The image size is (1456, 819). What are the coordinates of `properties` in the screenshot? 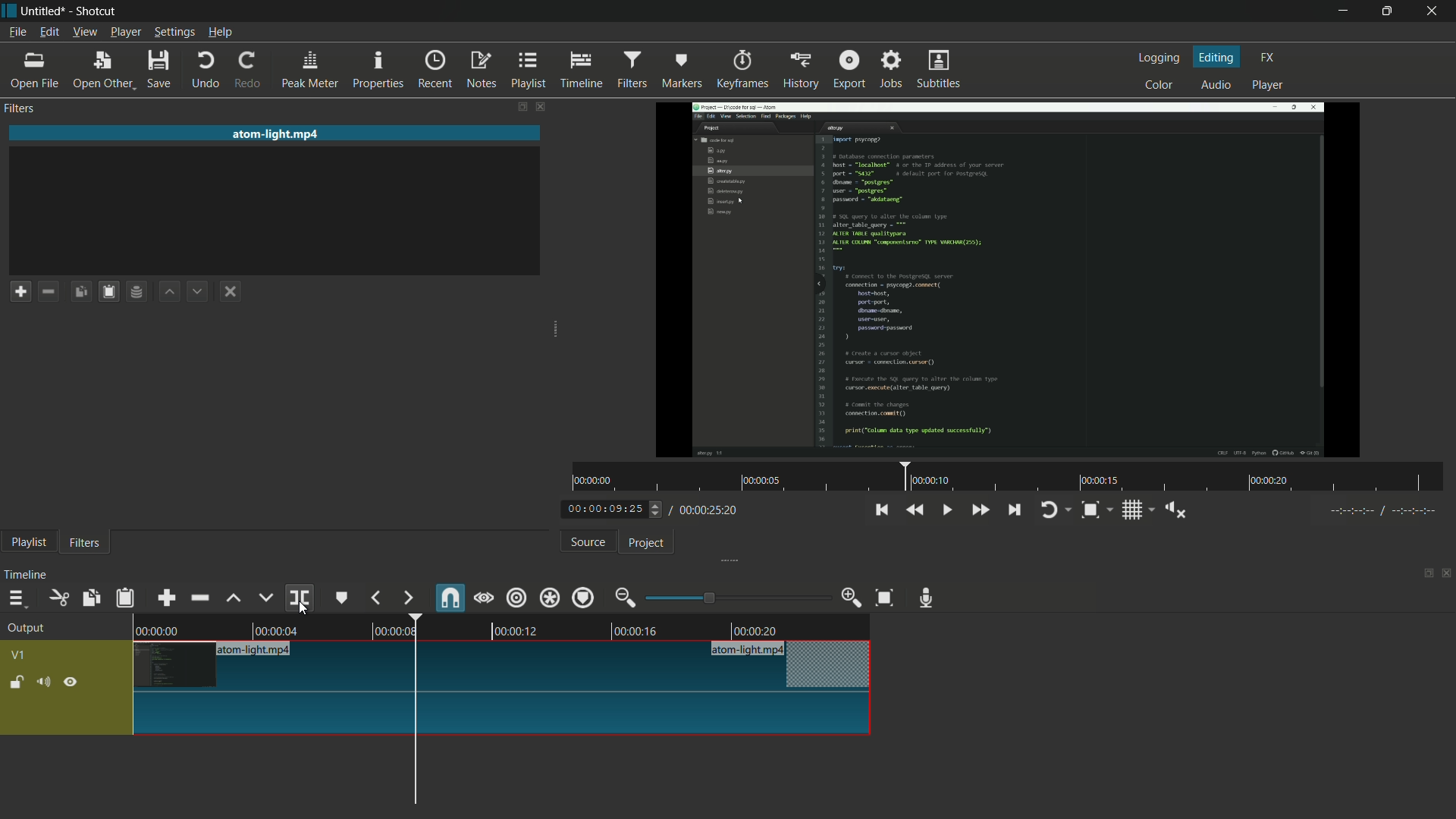 It's located at (380, 71).